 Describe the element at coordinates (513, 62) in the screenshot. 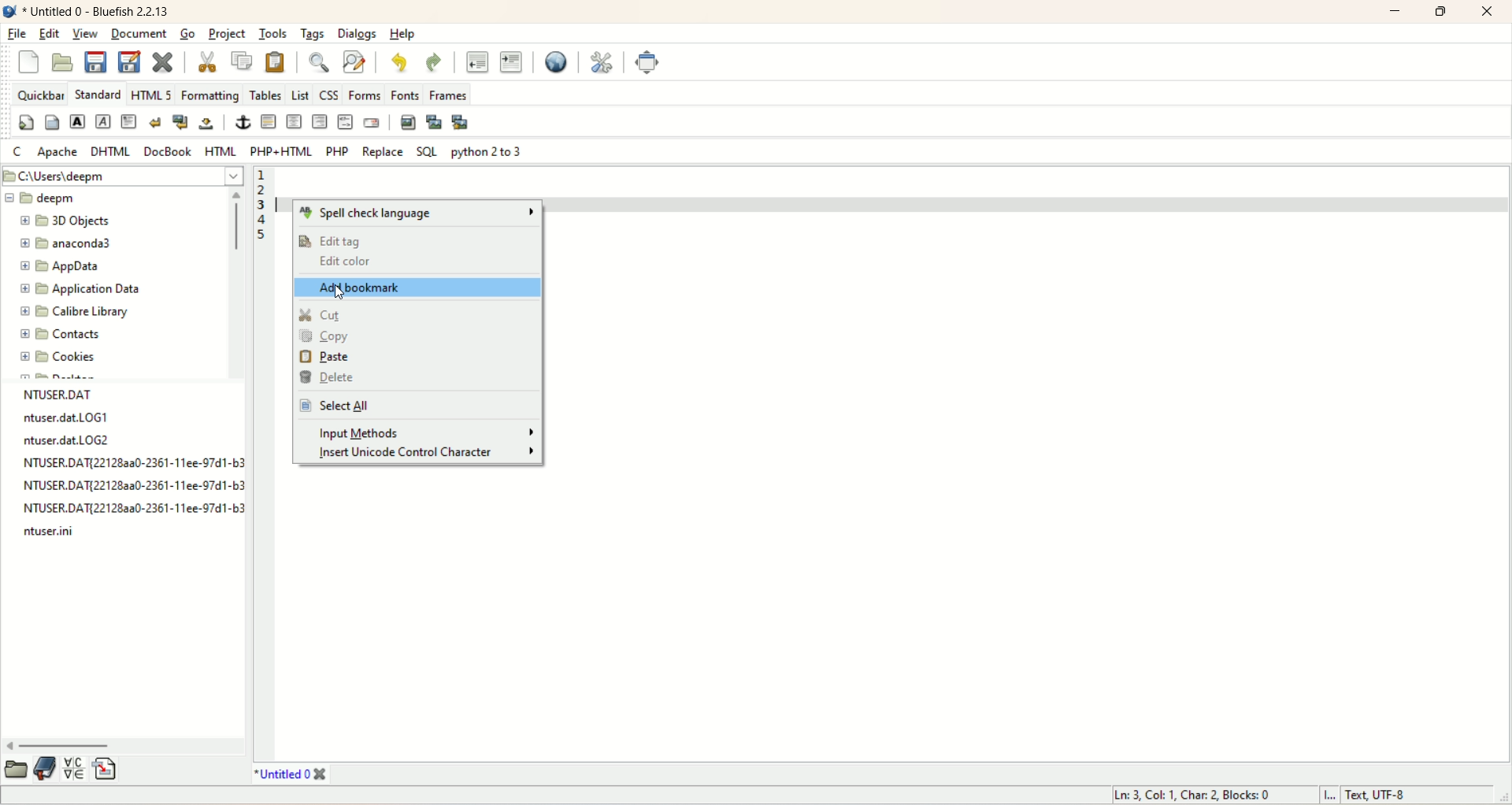

I see `indent` at that location.